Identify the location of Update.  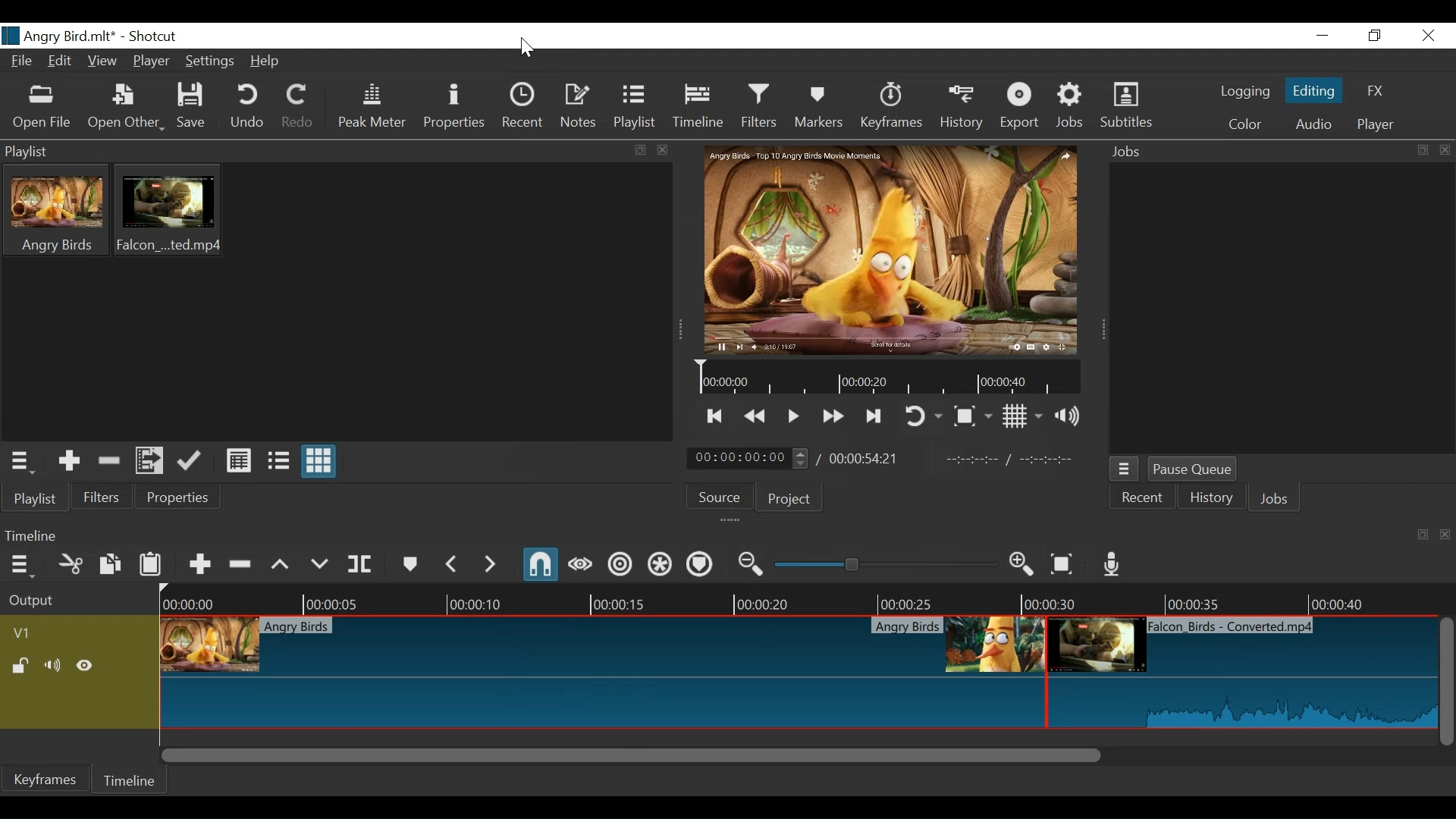
(188, 462).